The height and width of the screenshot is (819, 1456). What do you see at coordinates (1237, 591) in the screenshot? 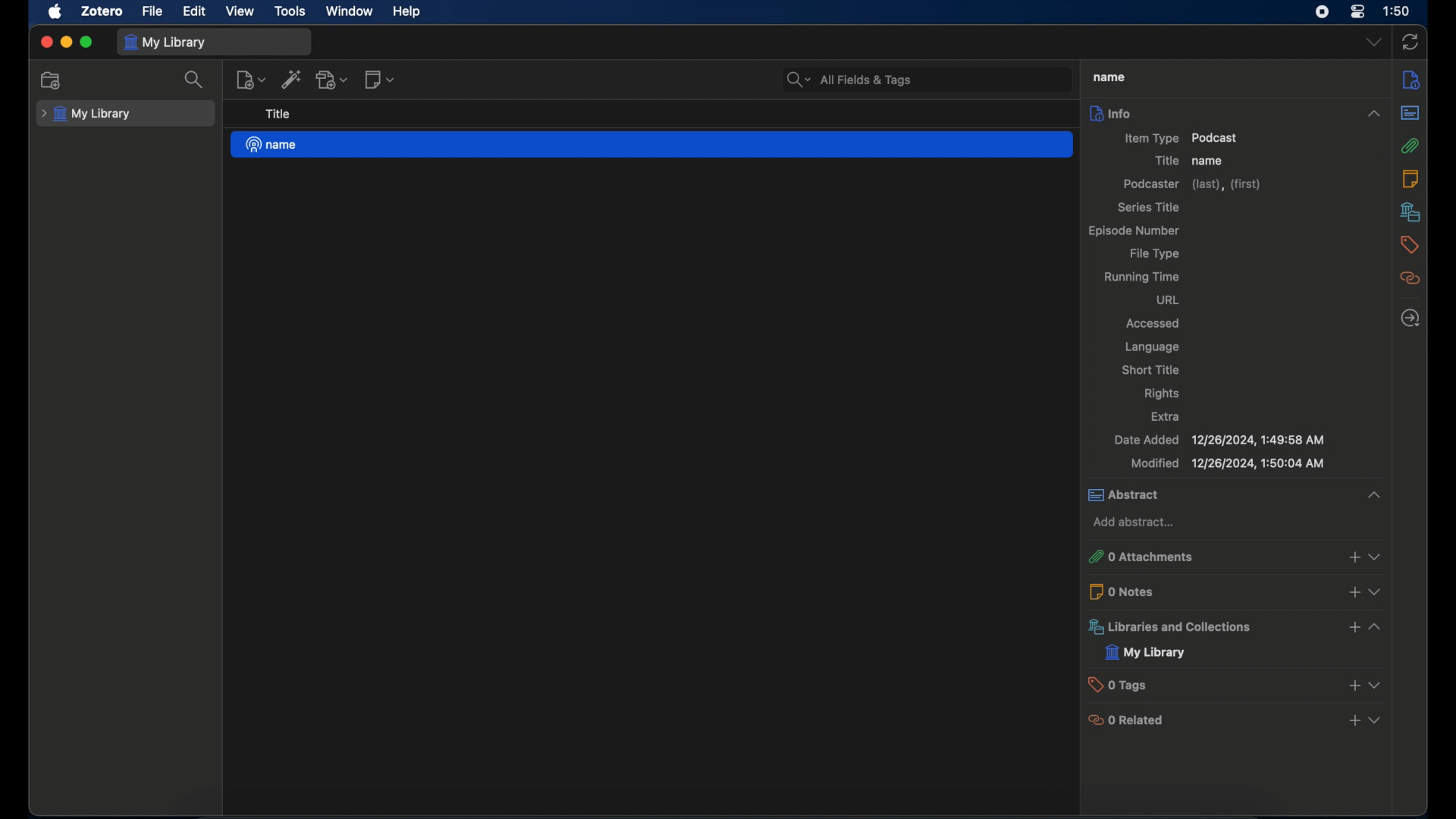
I see `0 notes` at bounding box center [1237, 591].